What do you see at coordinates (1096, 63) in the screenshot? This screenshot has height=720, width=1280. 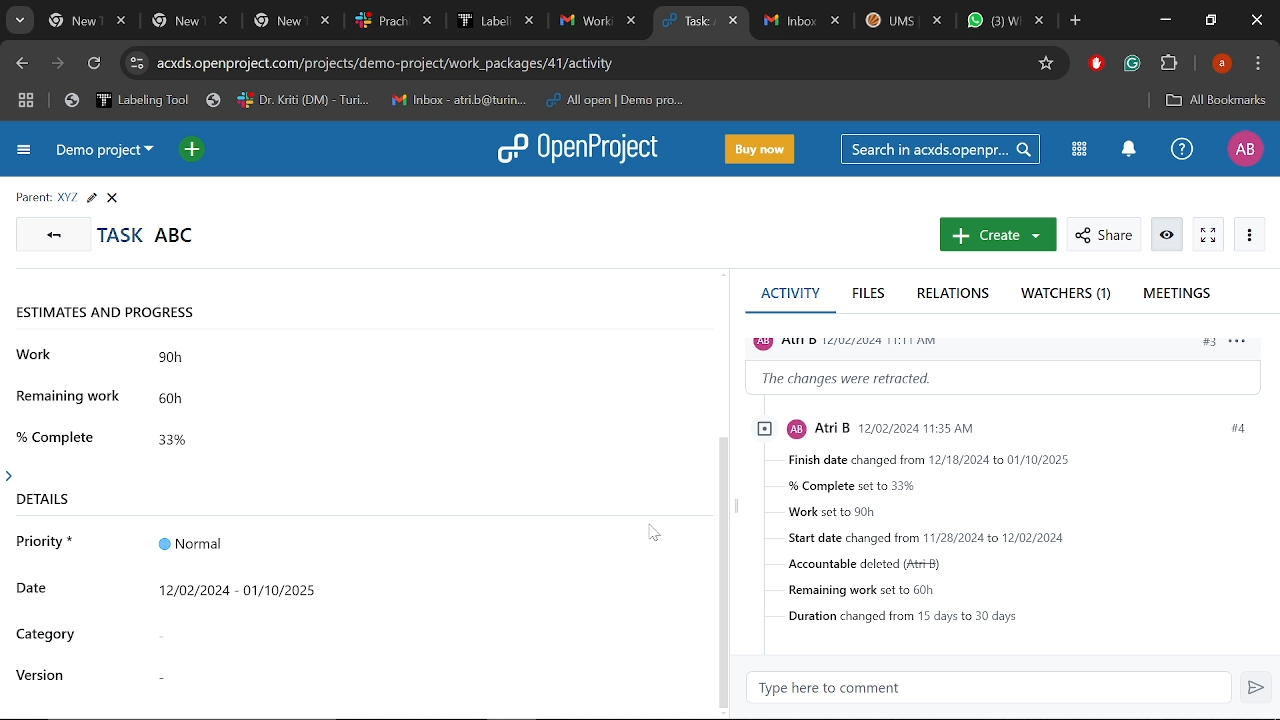 I see `Addblock` at bounding box center [1096, 63].